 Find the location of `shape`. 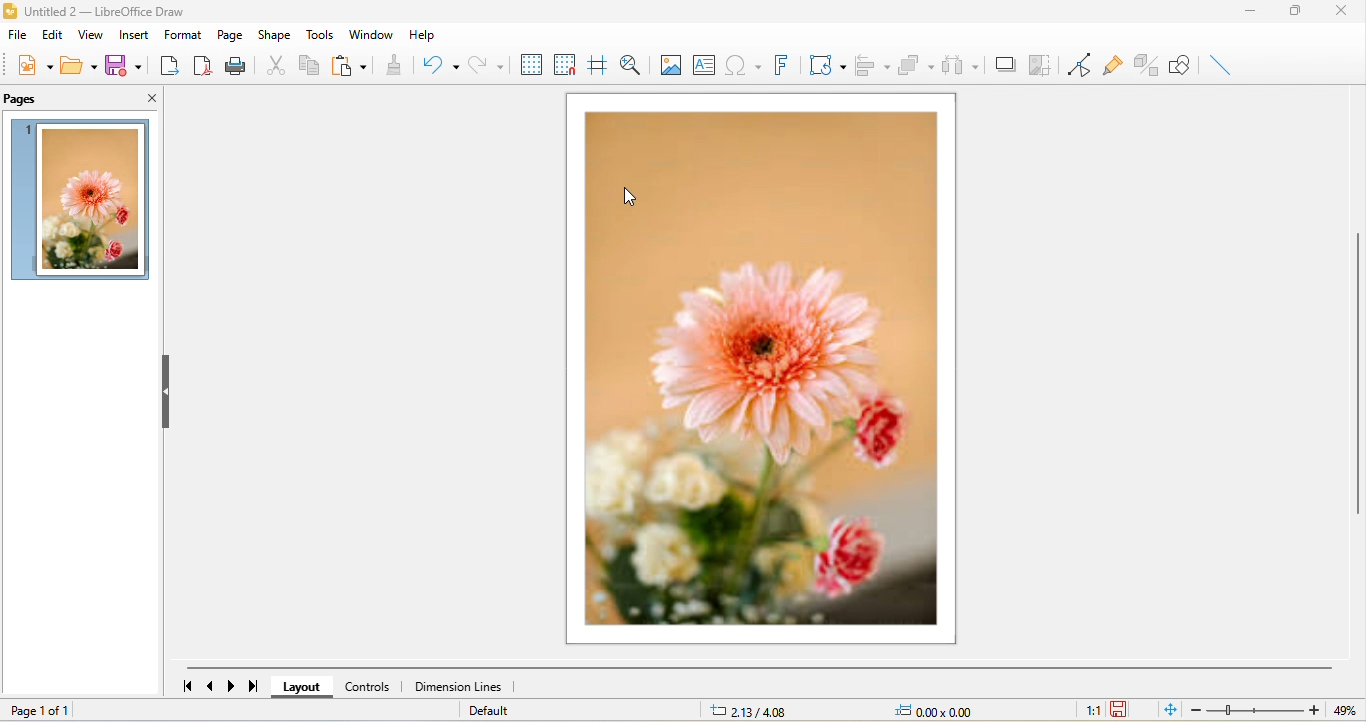

shape is located at coordinates (274, 36).